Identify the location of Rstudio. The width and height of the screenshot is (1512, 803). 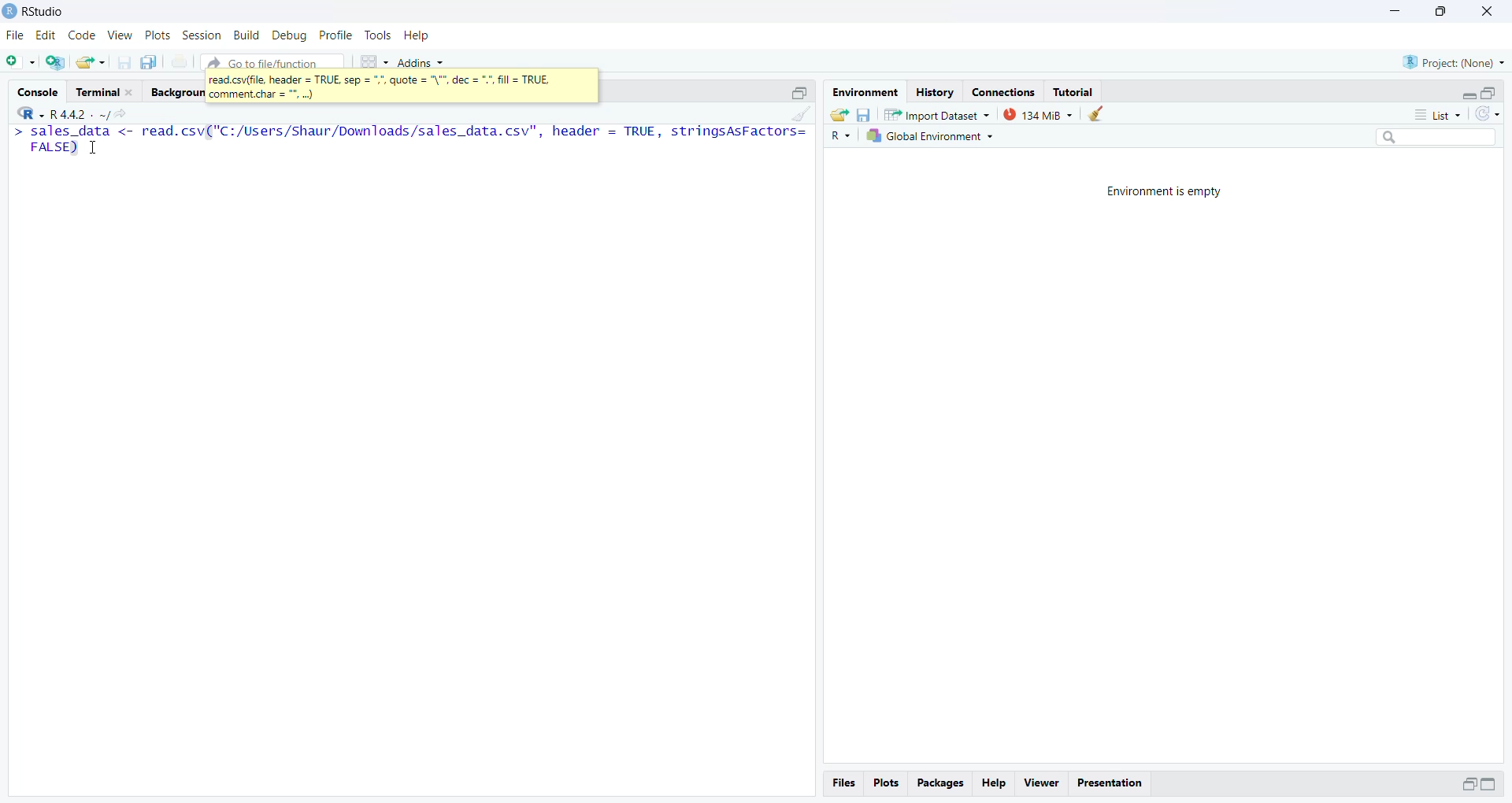
(30, 9).